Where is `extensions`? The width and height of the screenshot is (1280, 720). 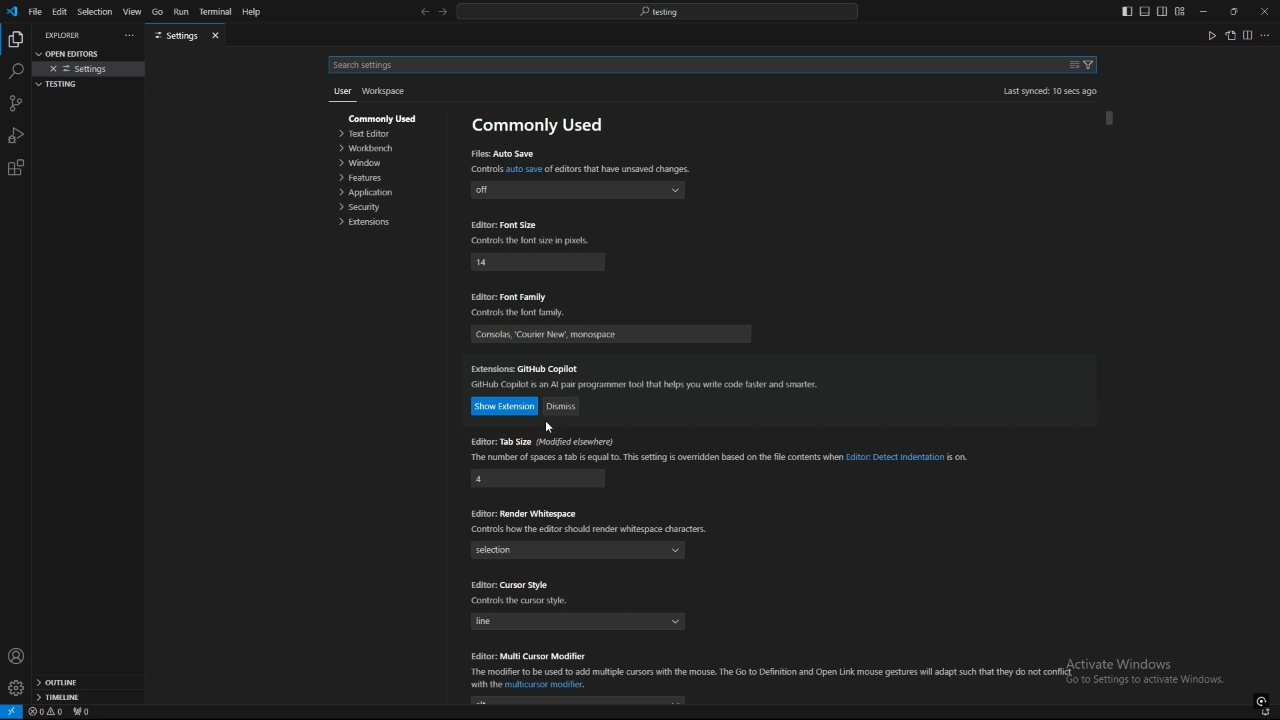
extensions is located at coordinates (16, 168).